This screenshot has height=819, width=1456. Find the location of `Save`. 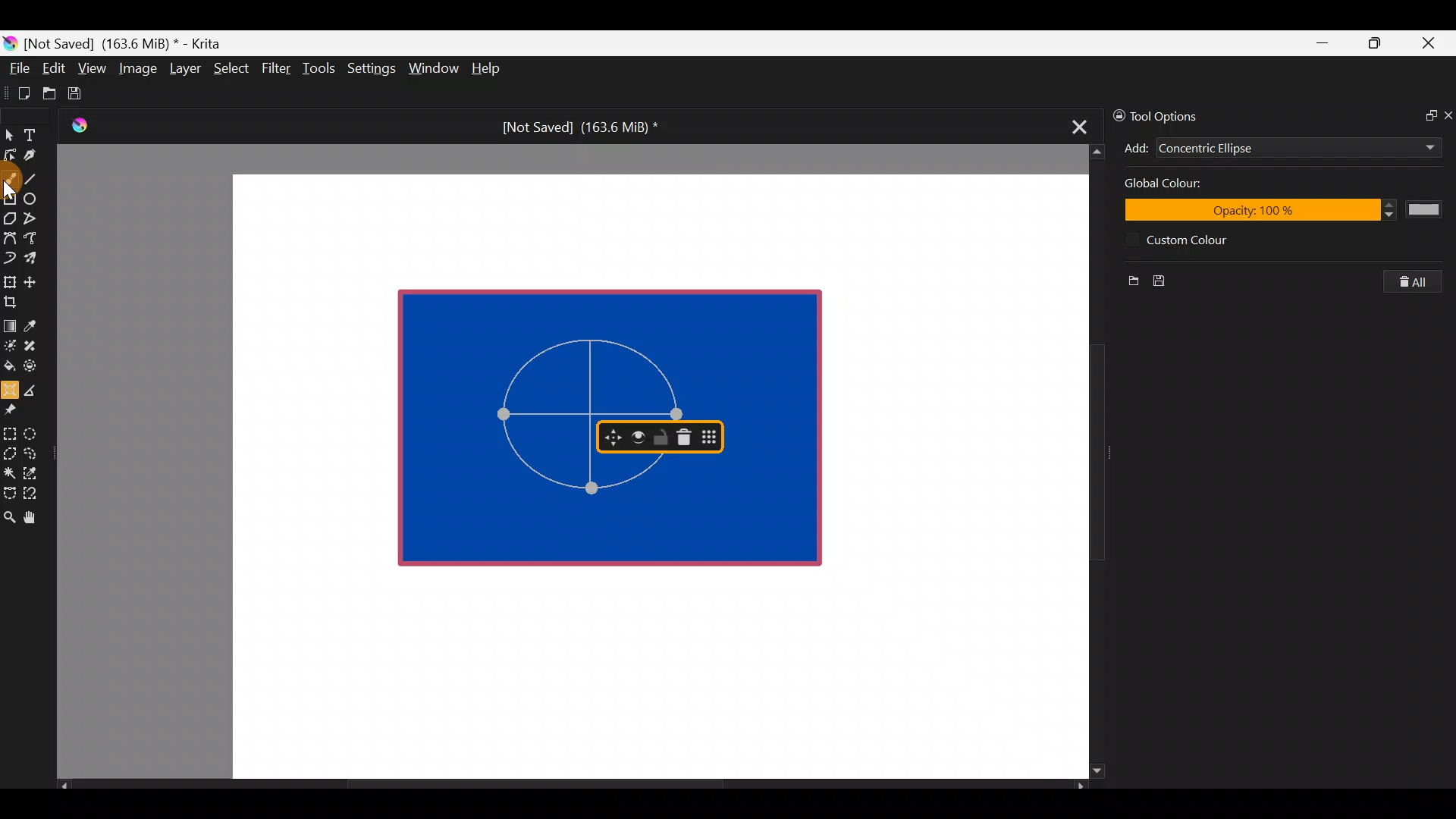

Save is located at coordinates (85, 93).